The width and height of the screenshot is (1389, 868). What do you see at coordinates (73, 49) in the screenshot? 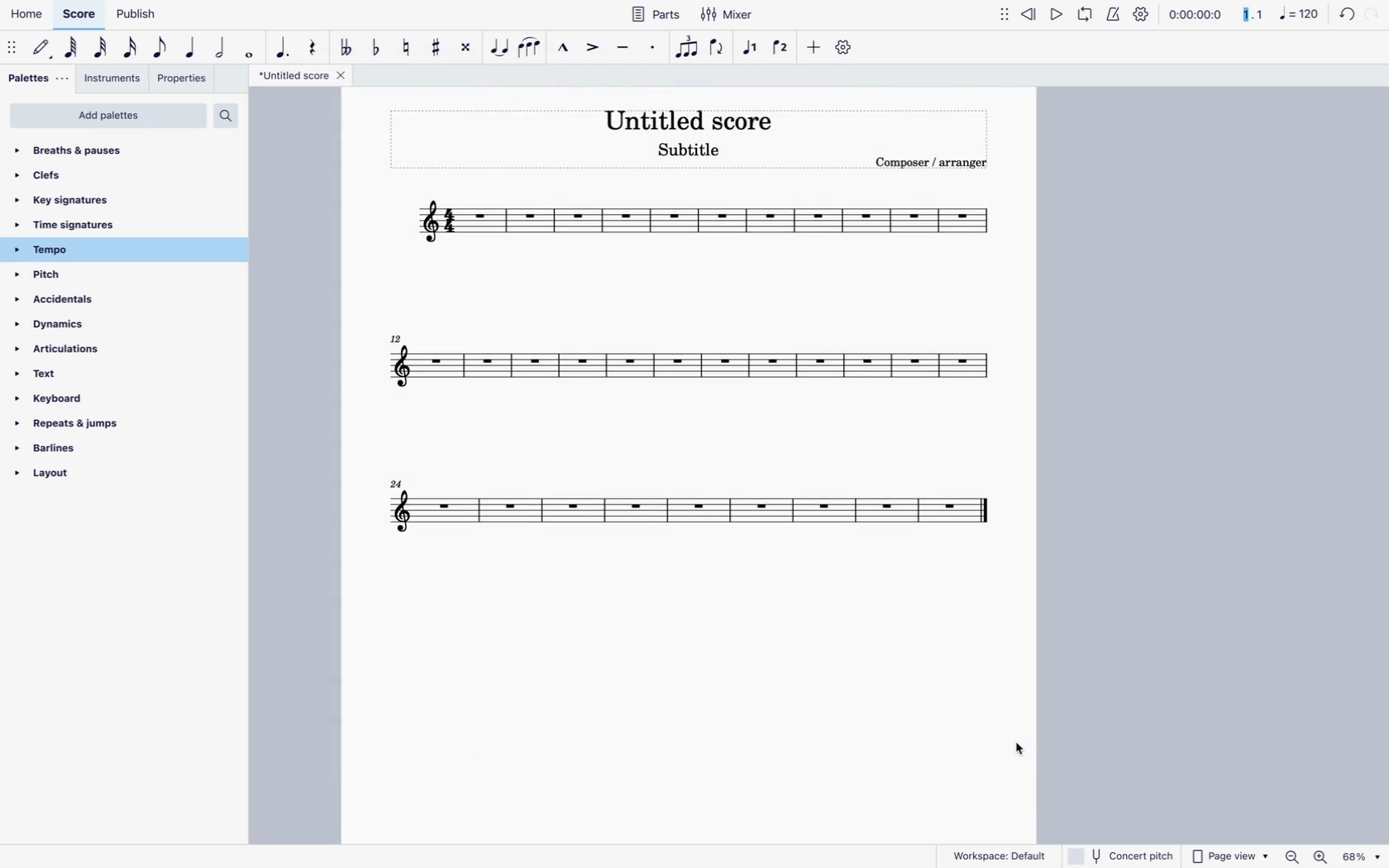
I see `64th note` at bounding box center [73, 49].